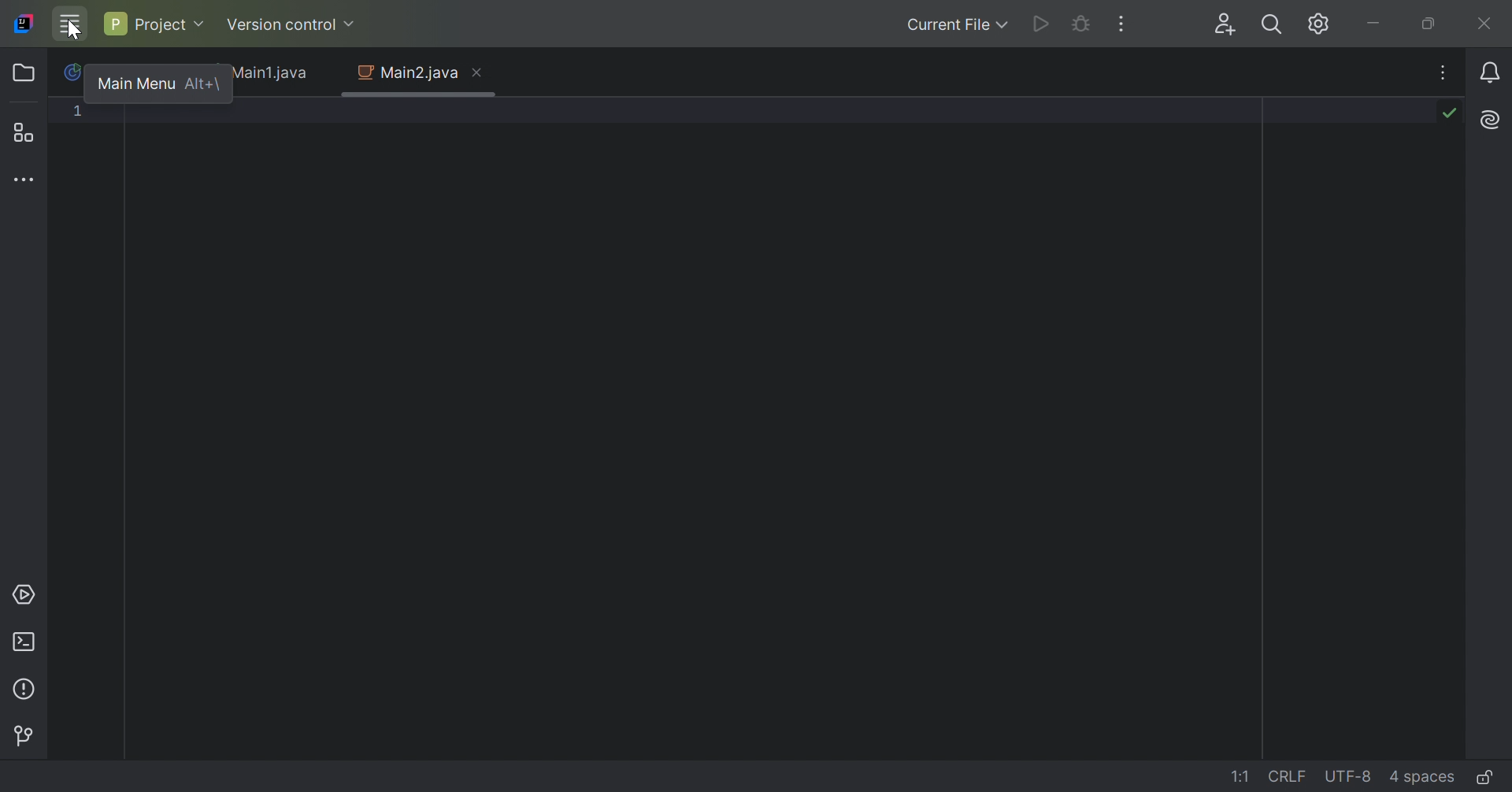 The image size is (1512, 792). What do you see at coordinates (154, 22) in the screenshot?
I see `Project` at bounding box center [154, 22].